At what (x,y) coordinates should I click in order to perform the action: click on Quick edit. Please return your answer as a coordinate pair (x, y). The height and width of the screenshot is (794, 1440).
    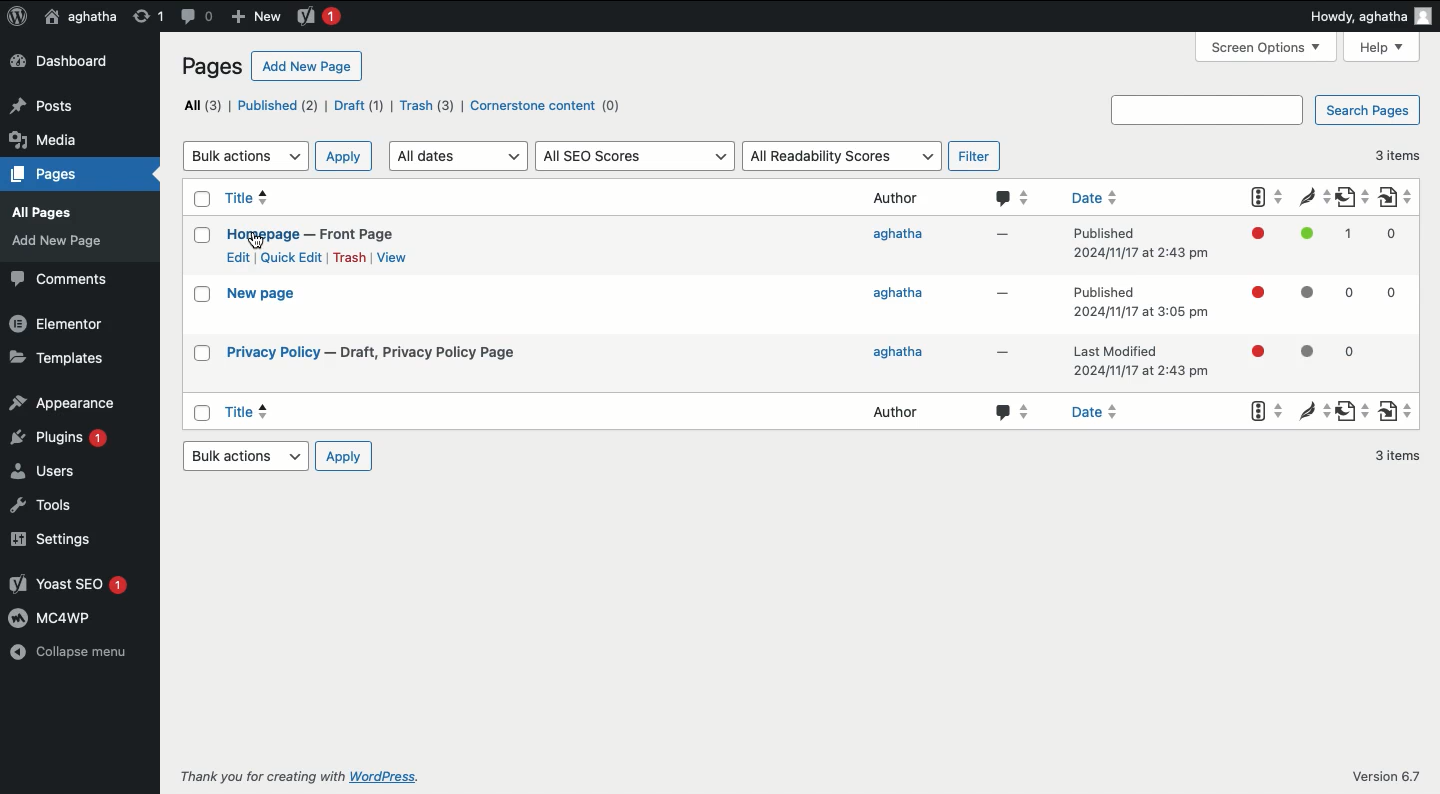
    Looking at the image, I should click on (292, 257).